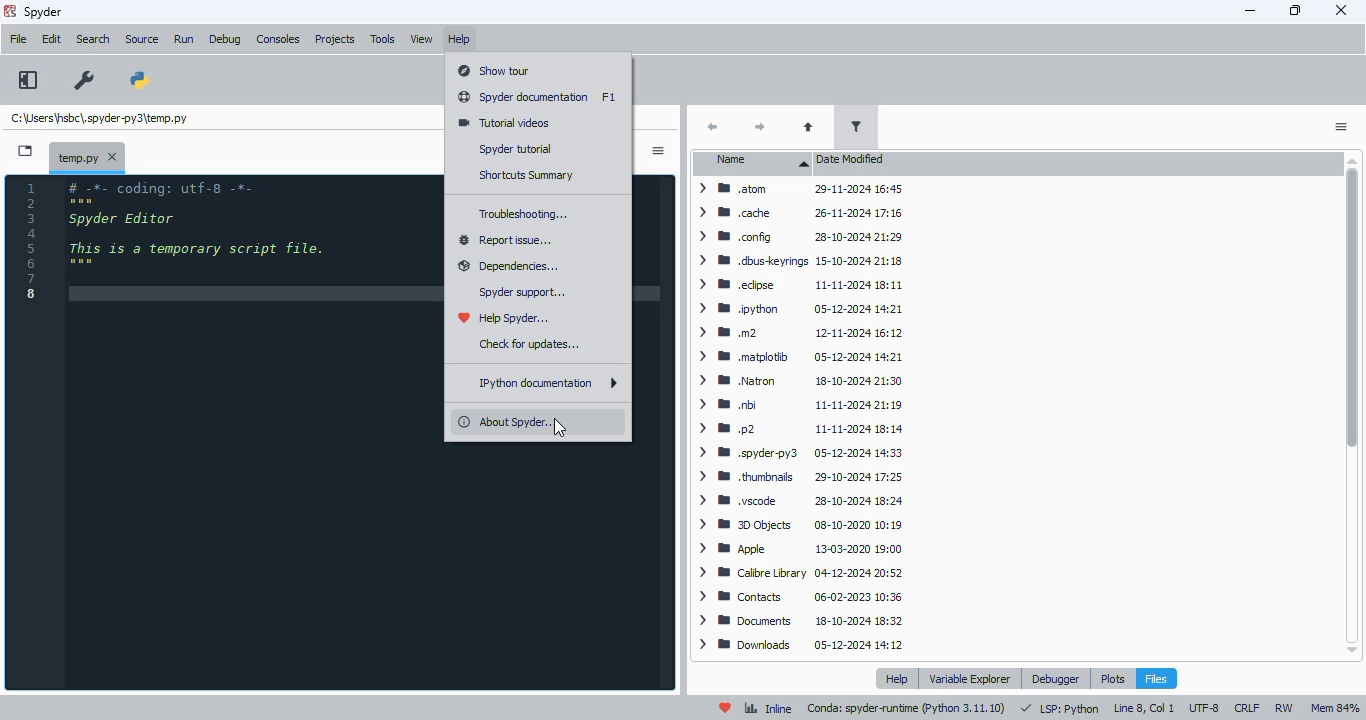 The image size is (1366, 720). I want to click on filter, so click(858, 127).